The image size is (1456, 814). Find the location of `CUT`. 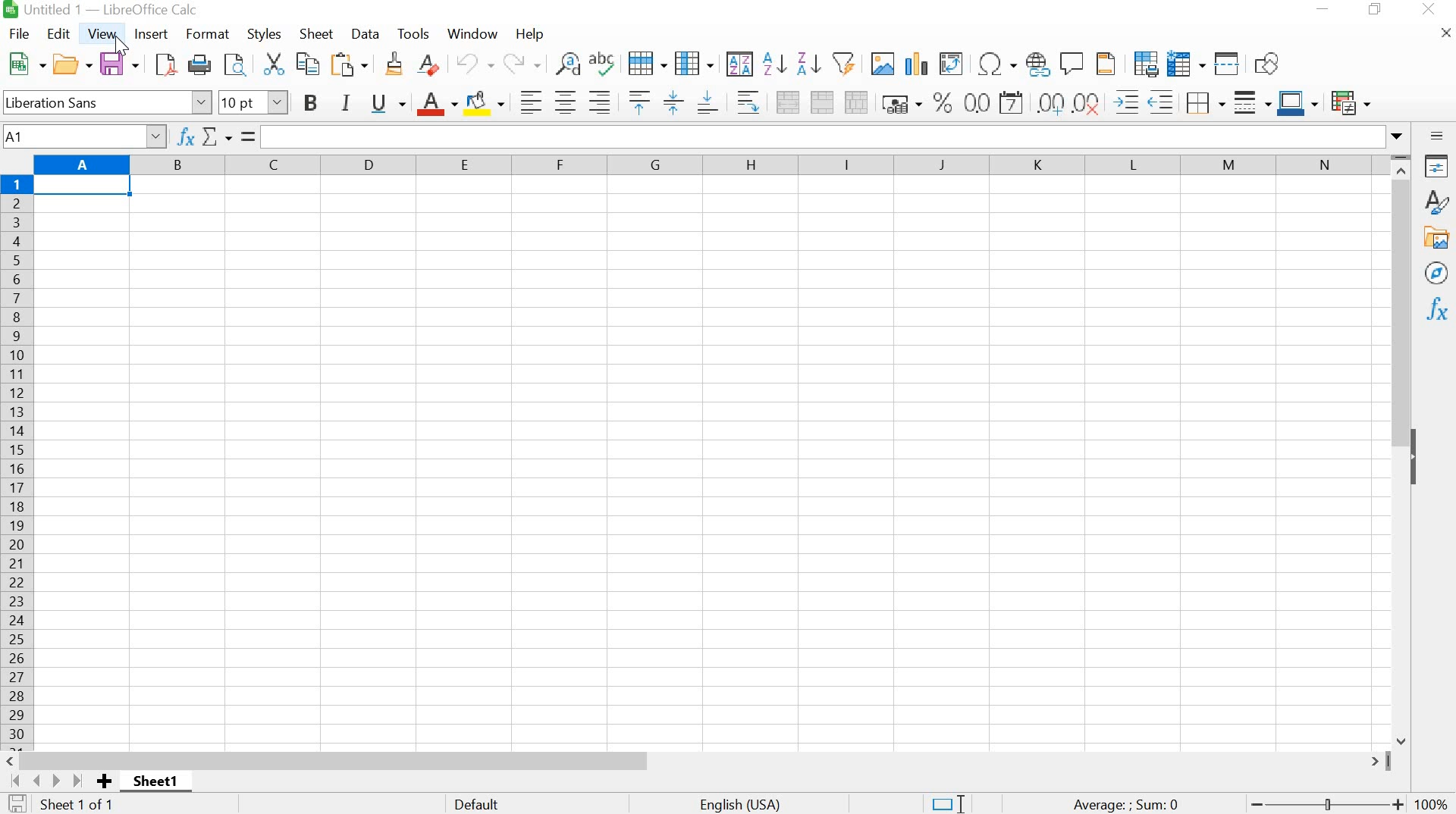

CUT is located at coordinates (272, 64).